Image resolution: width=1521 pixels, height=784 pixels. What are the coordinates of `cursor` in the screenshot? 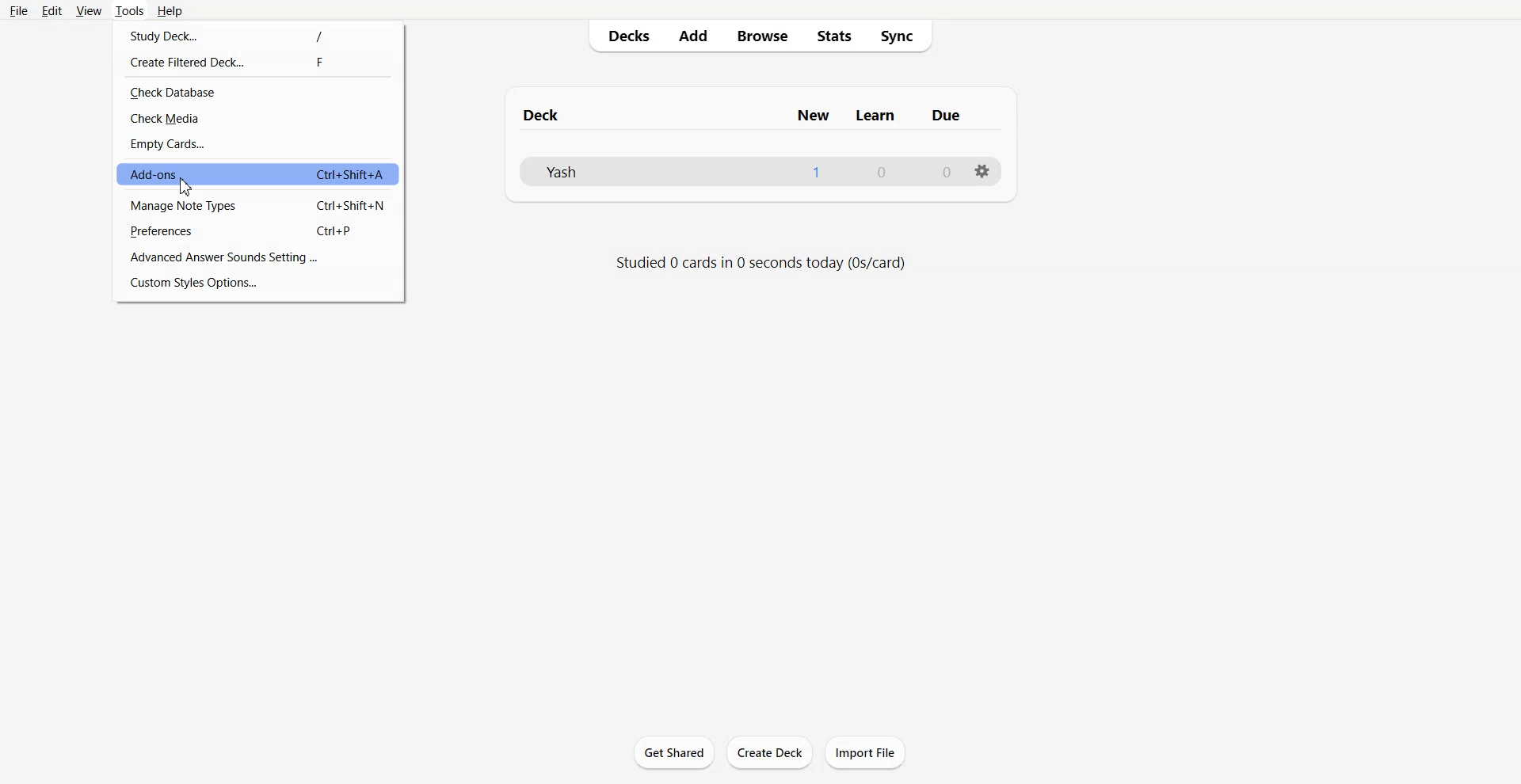 It's located at (185, 186).